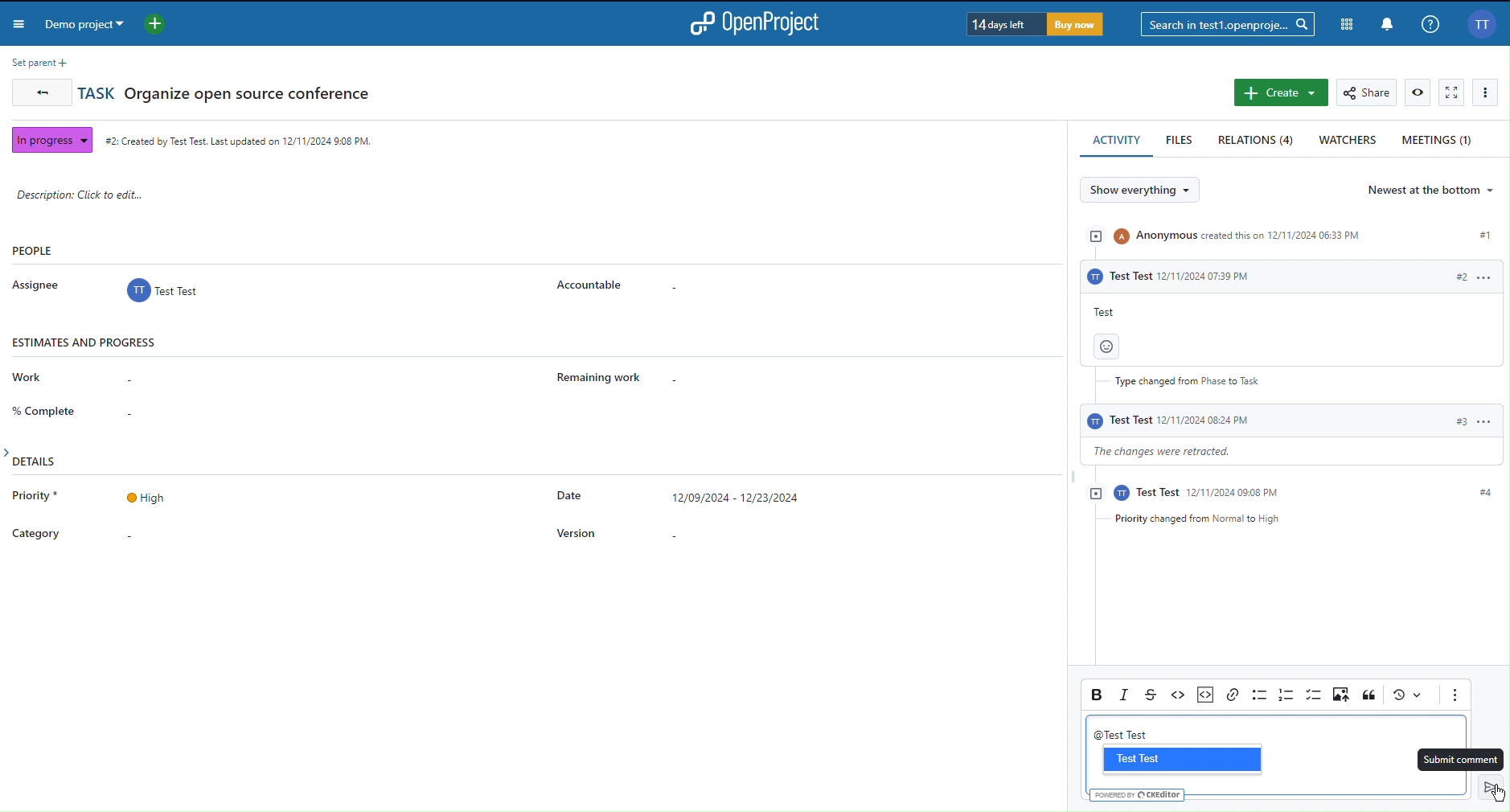 The image size is (1510, 812). Describe the element at coordinates (1344, 22) in the screenshot. I see `Modules` at that location.